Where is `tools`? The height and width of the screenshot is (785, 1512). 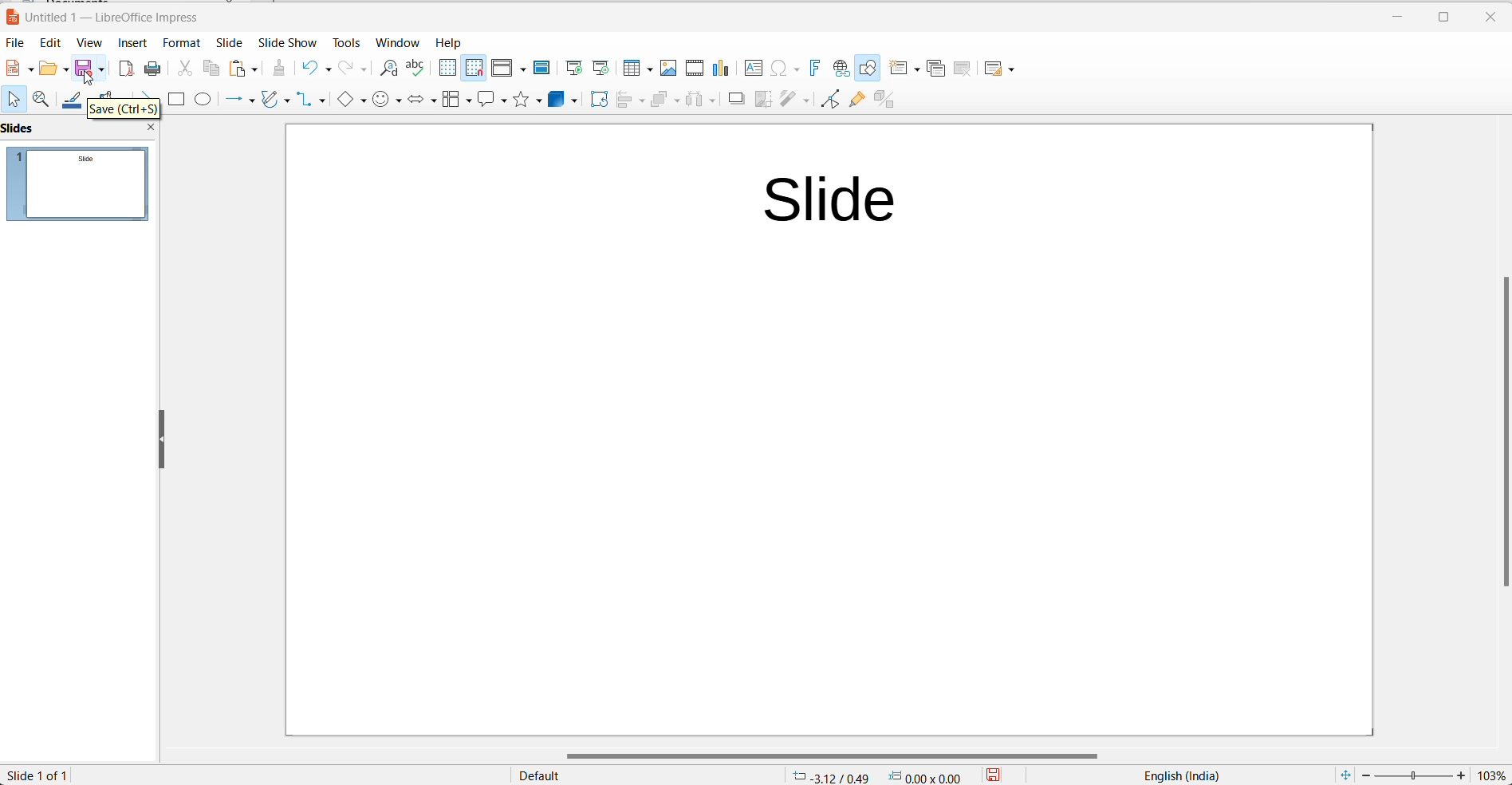 tools is located at coordinates (345, 44).